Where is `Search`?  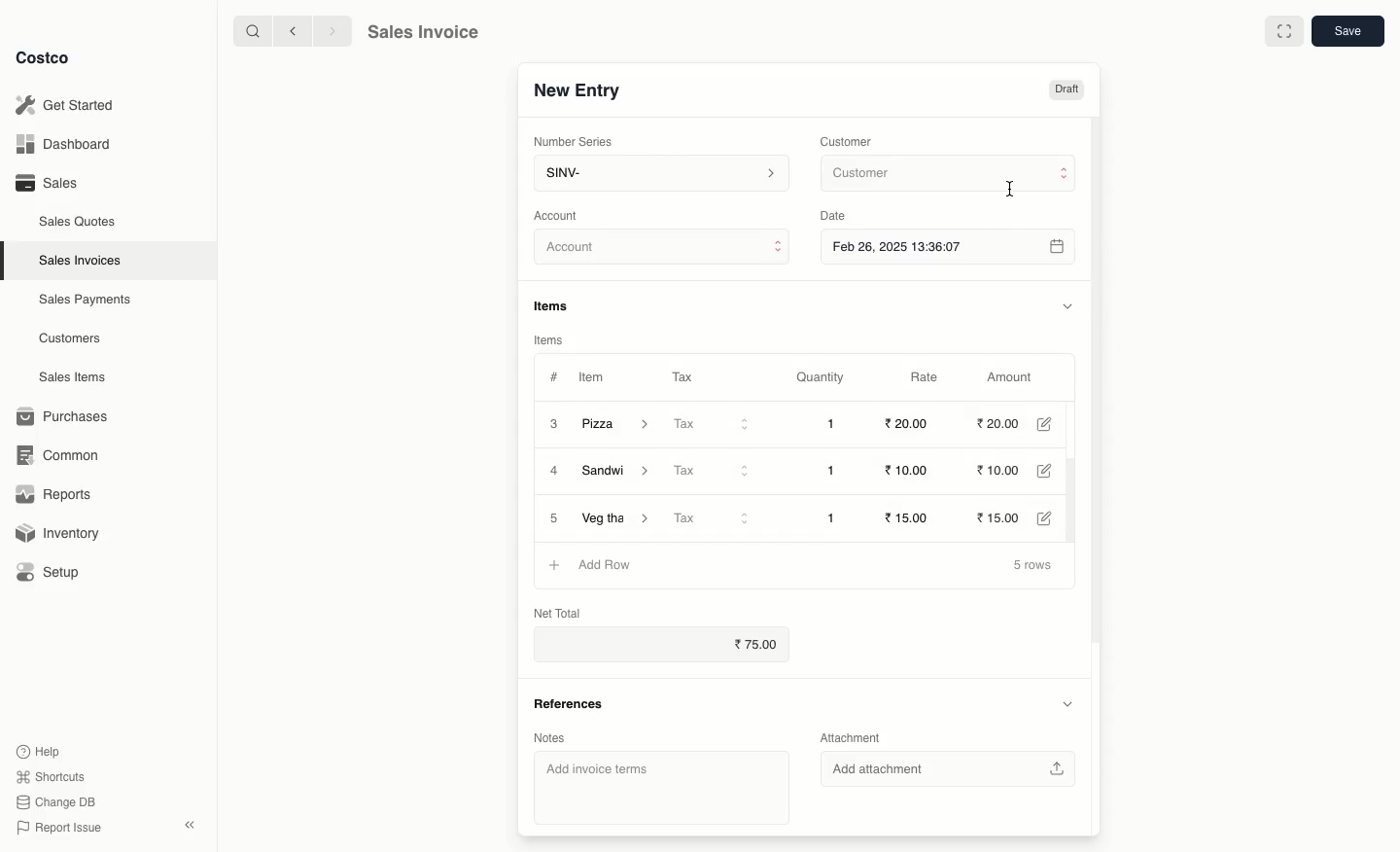
Search is located at coordinates (250, 30).